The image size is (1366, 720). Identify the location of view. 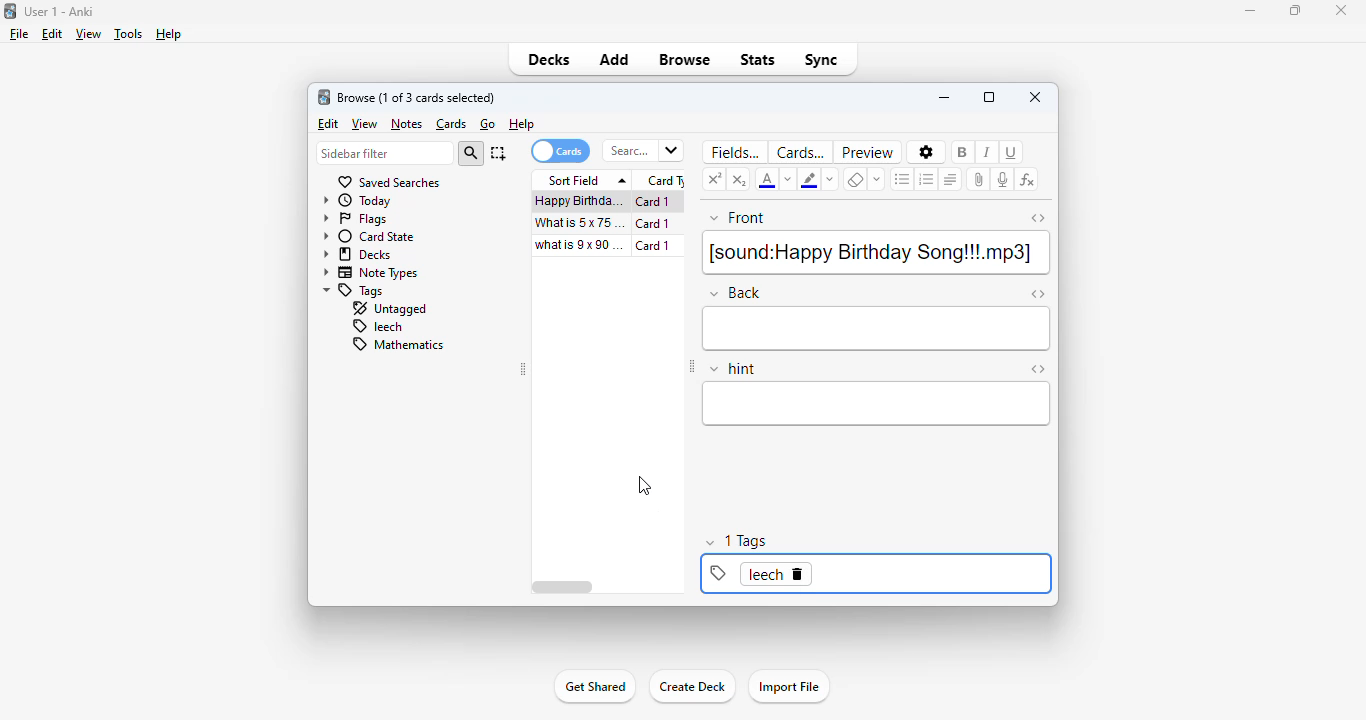
(365, 124).